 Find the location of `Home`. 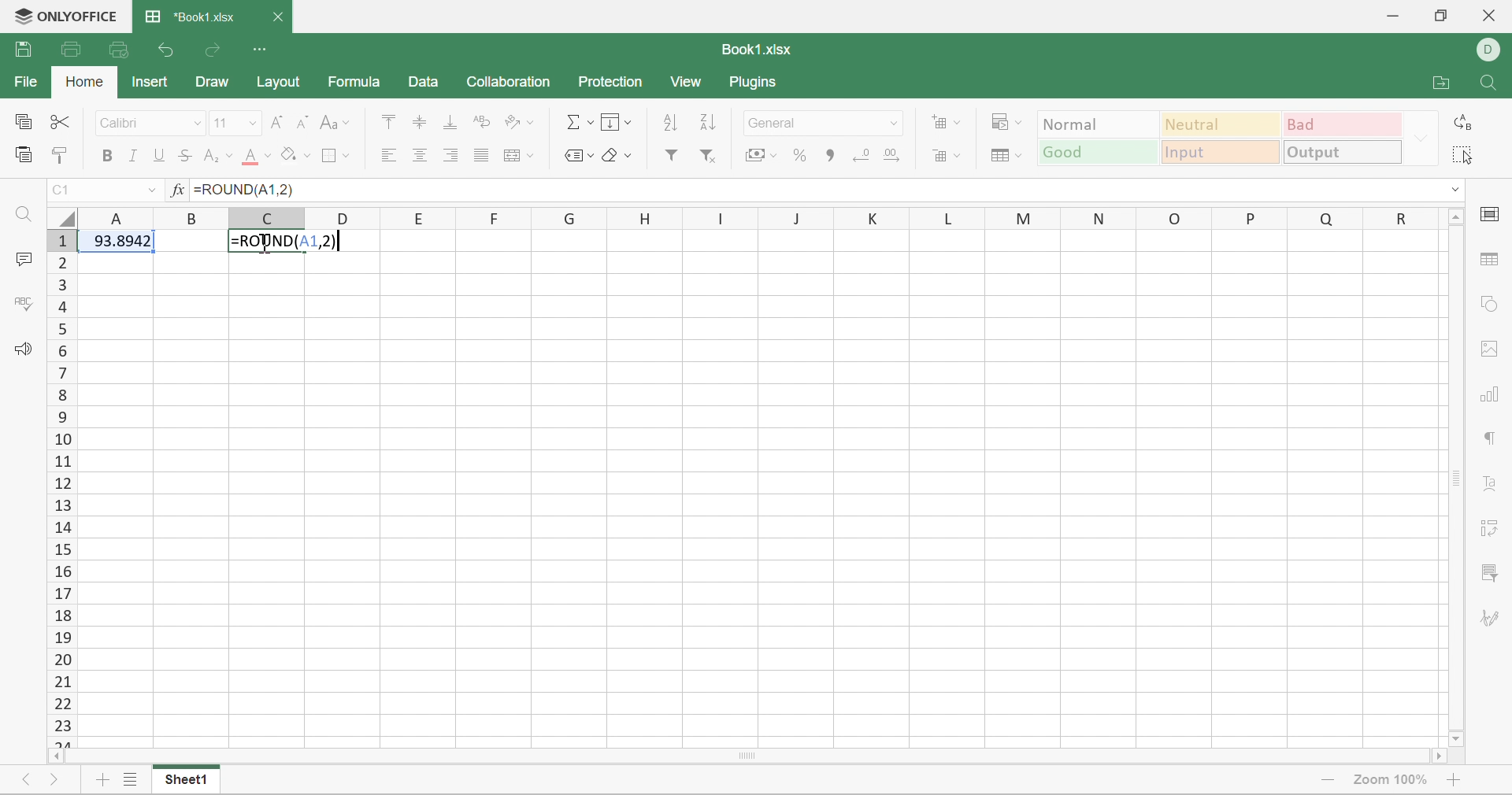

Home is located at coordinates (84, 81).